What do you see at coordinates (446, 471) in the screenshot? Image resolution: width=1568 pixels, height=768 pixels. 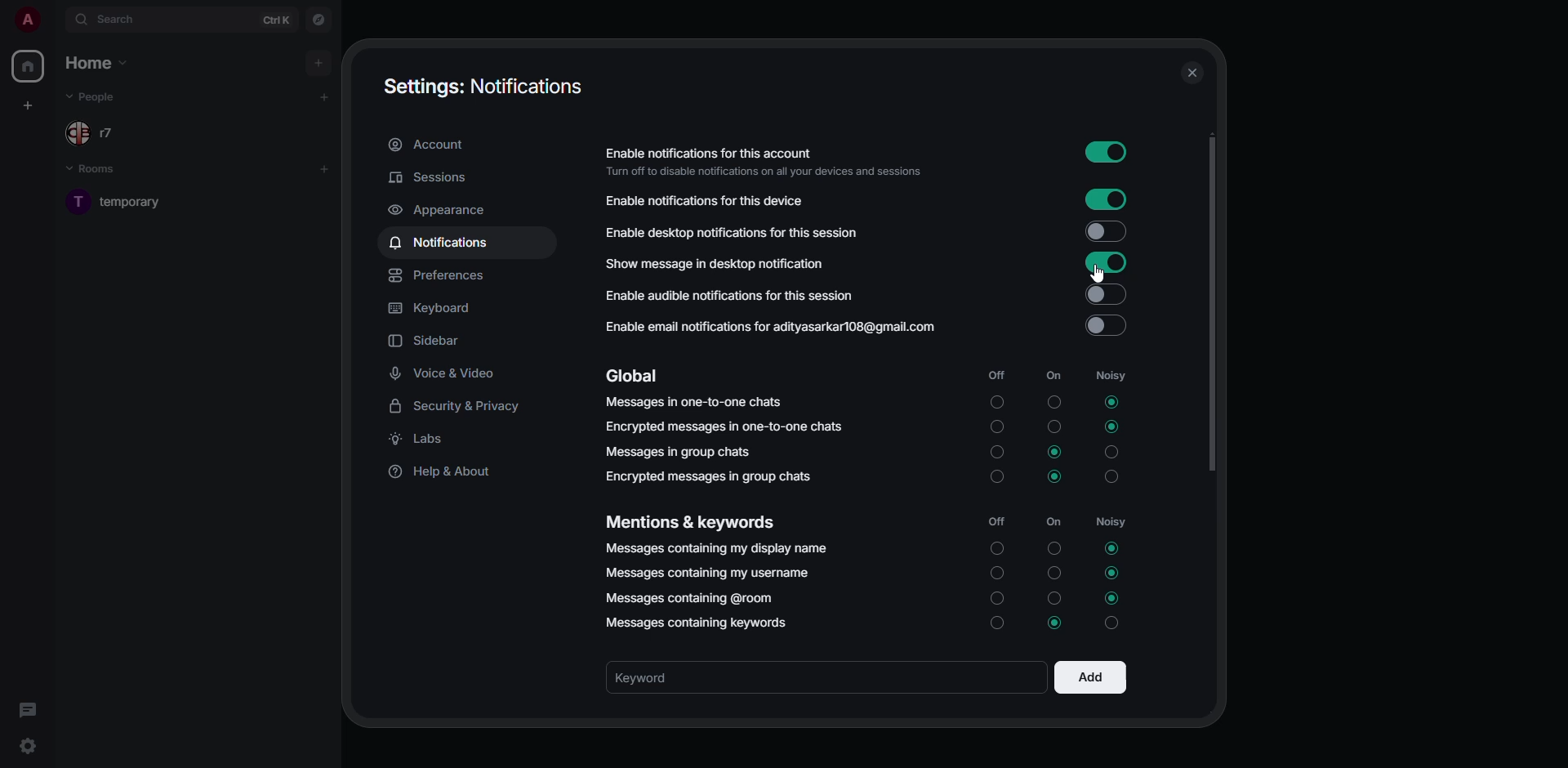 I see `help & about` at bounding box center [446, 471].